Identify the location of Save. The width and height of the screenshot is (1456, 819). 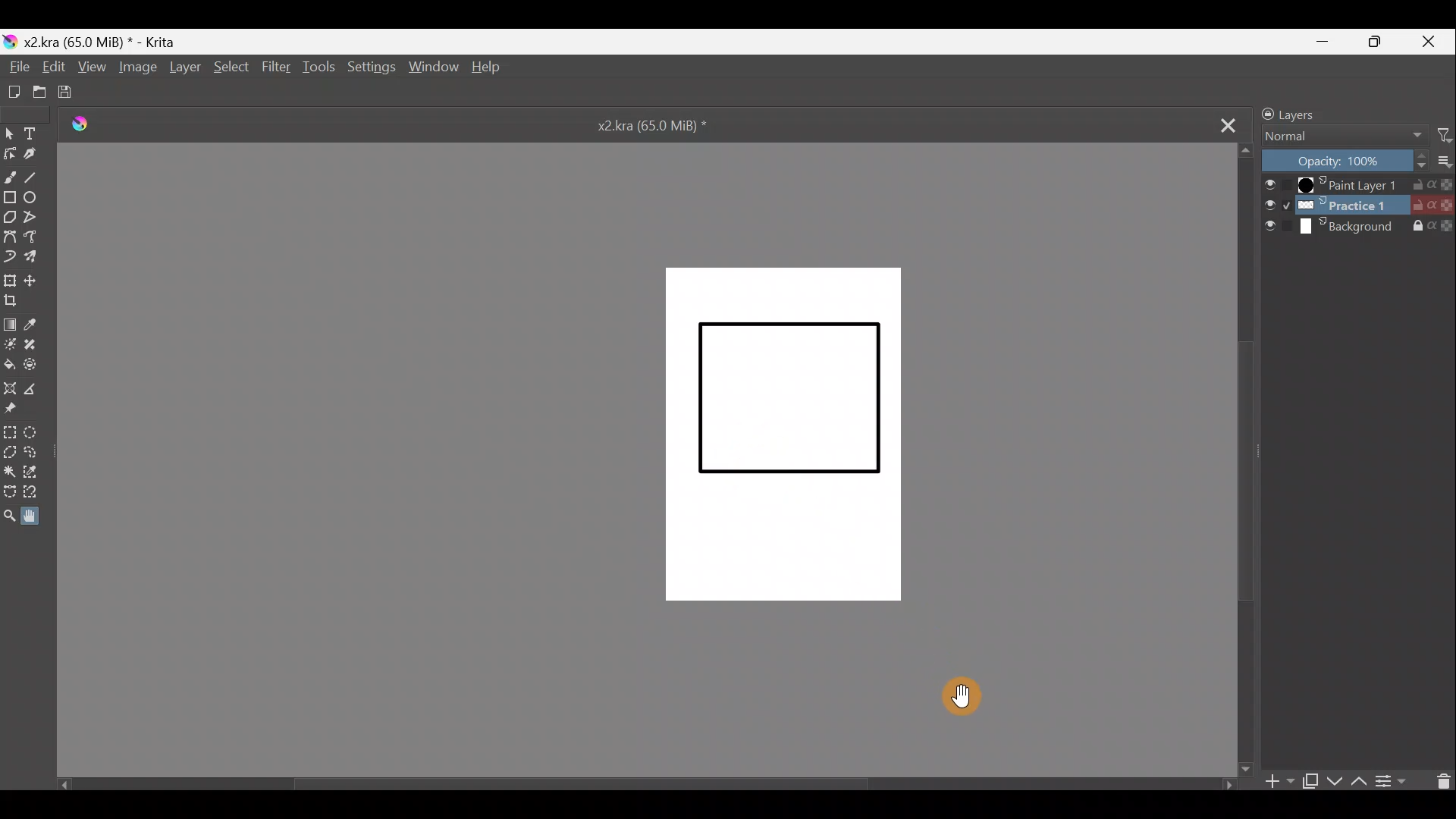
(71, 93).